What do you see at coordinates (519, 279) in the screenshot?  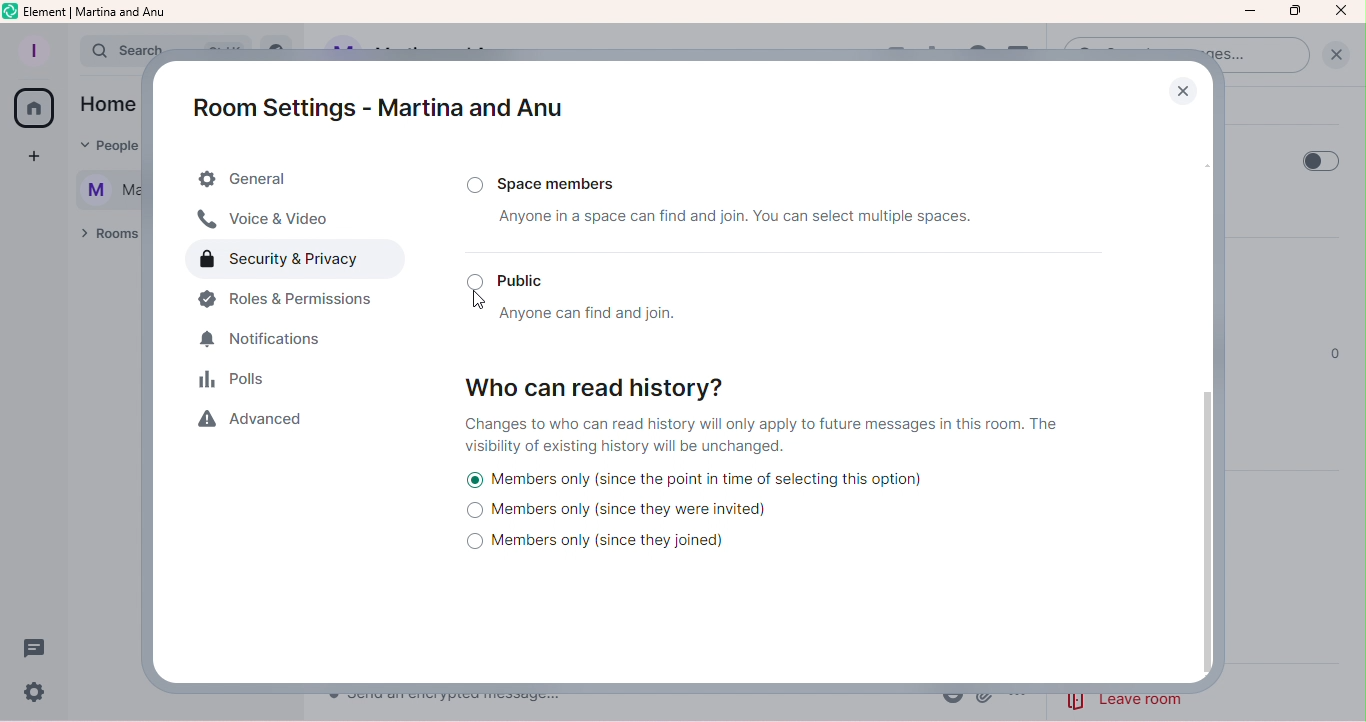 I see `Public` at bounding box center [519, 279].